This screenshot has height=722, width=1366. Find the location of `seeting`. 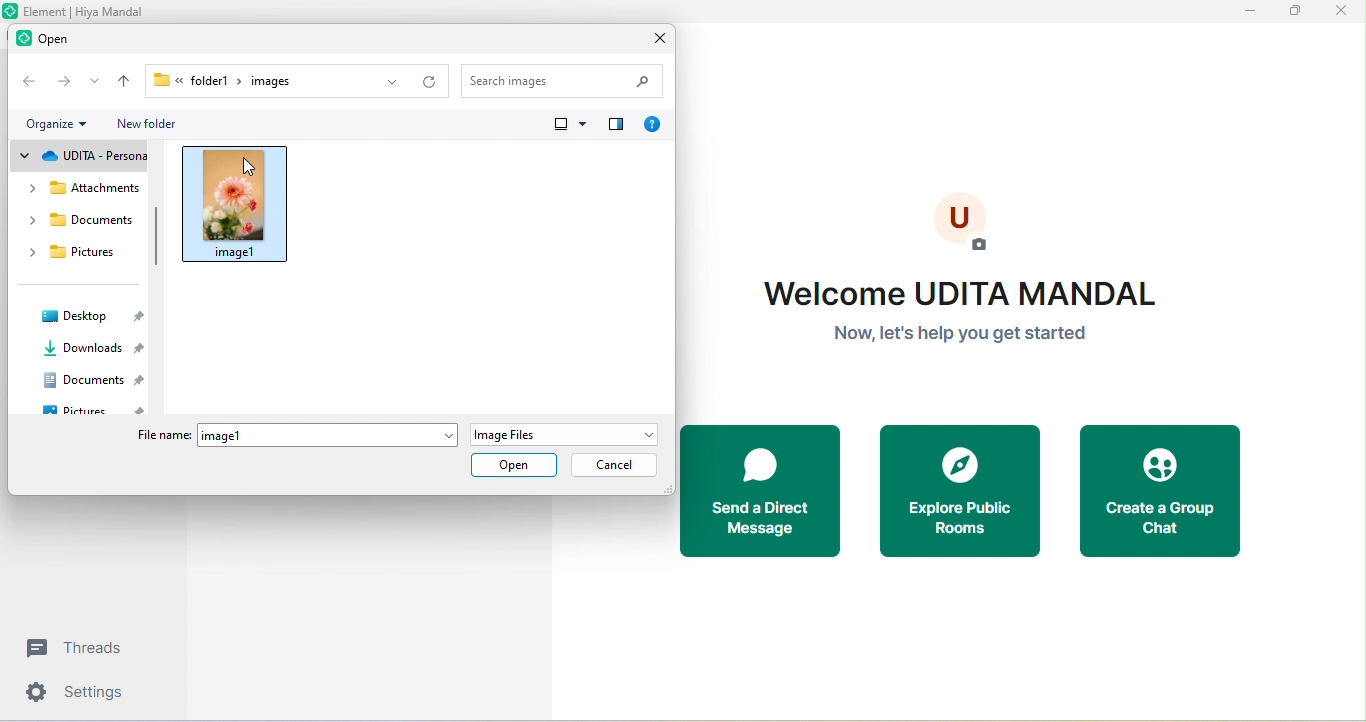

seeting is located at coordinates (79, 695).